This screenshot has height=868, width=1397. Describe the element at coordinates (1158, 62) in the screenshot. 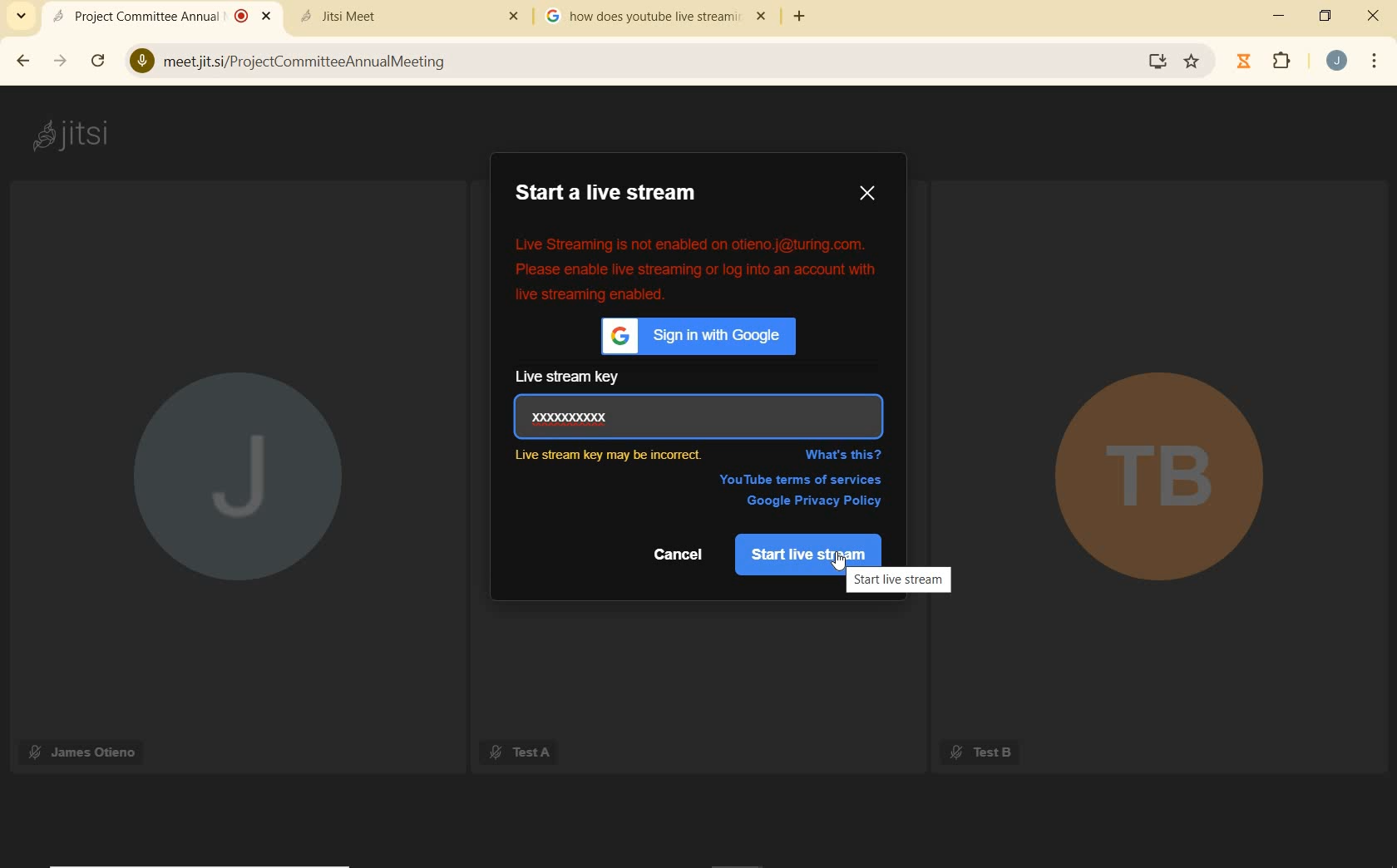

I see `Install Google Meet` at that location.